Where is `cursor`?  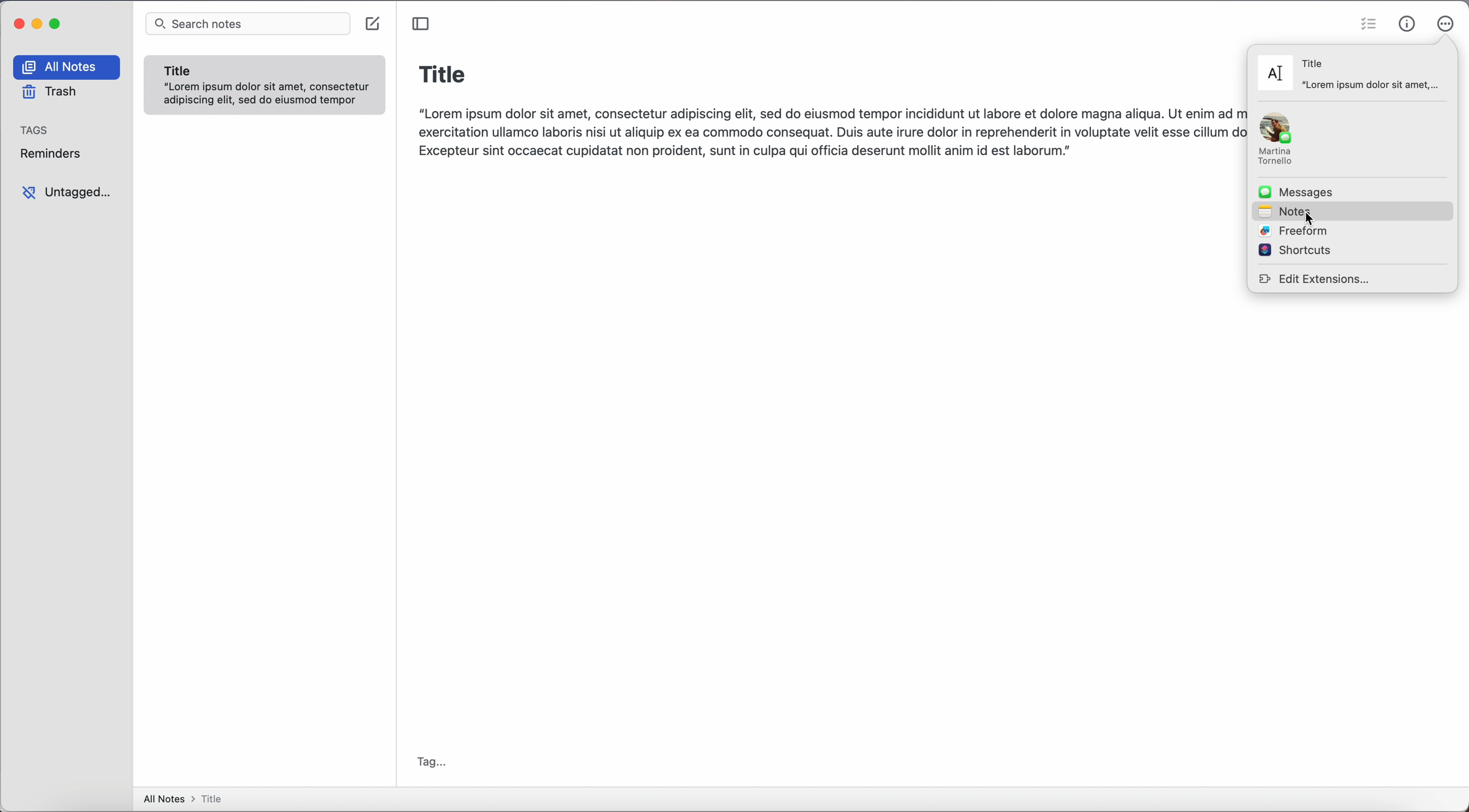 cursor is located at coordinates (1311, 222).